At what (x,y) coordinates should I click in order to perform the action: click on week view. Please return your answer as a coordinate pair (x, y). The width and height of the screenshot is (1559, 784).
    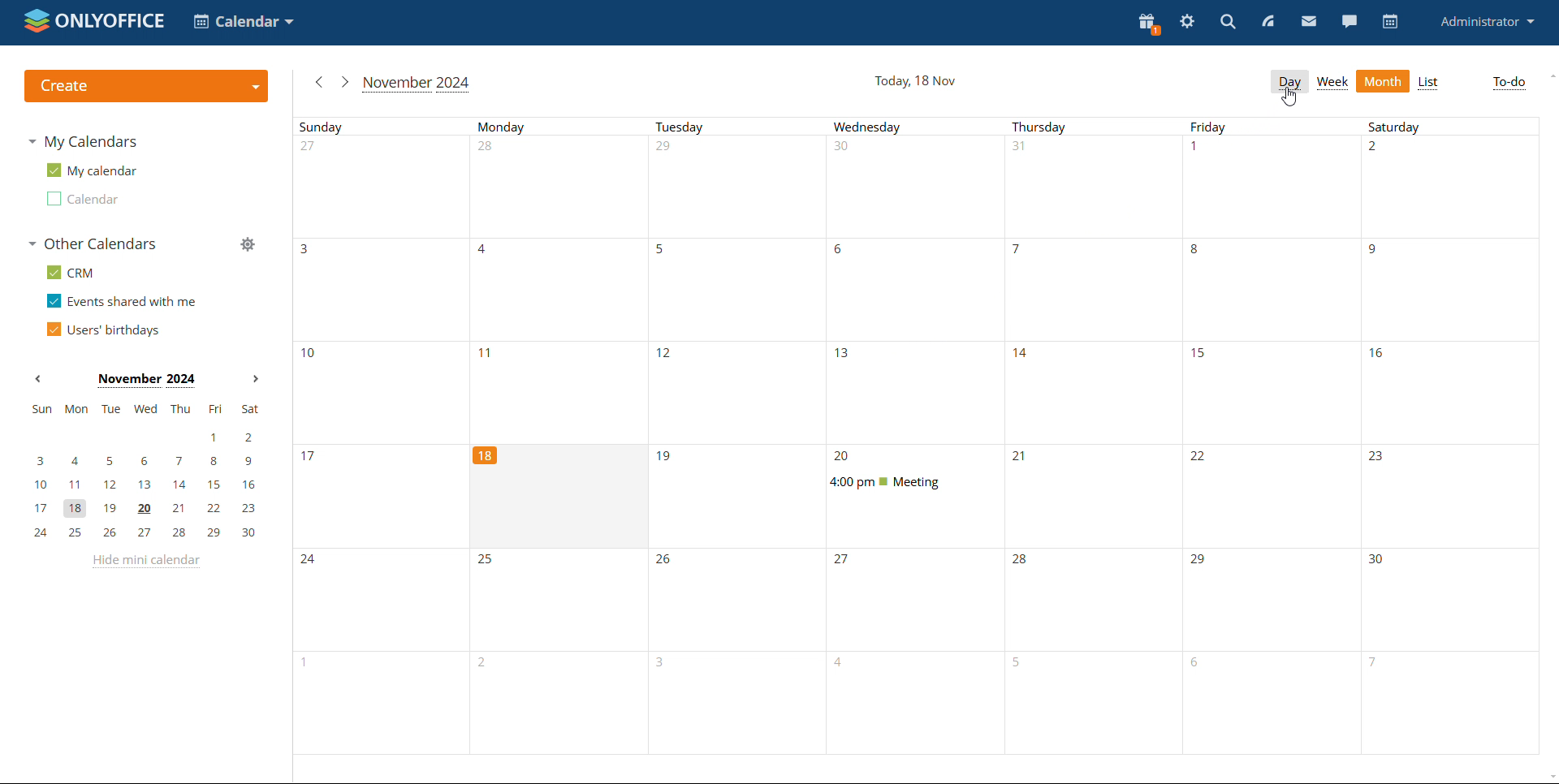
    Looking at the image, I should click on (1333, 82).